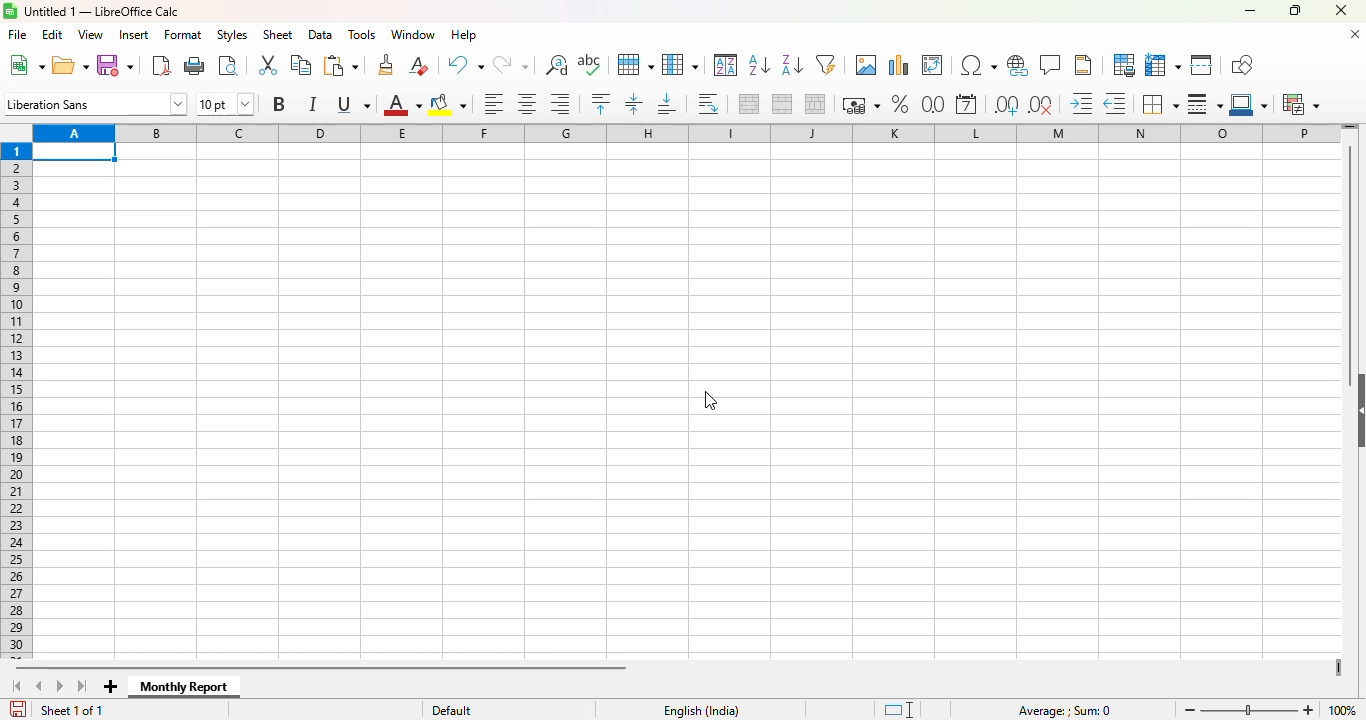  I want to click on styles, so click(232, 34).